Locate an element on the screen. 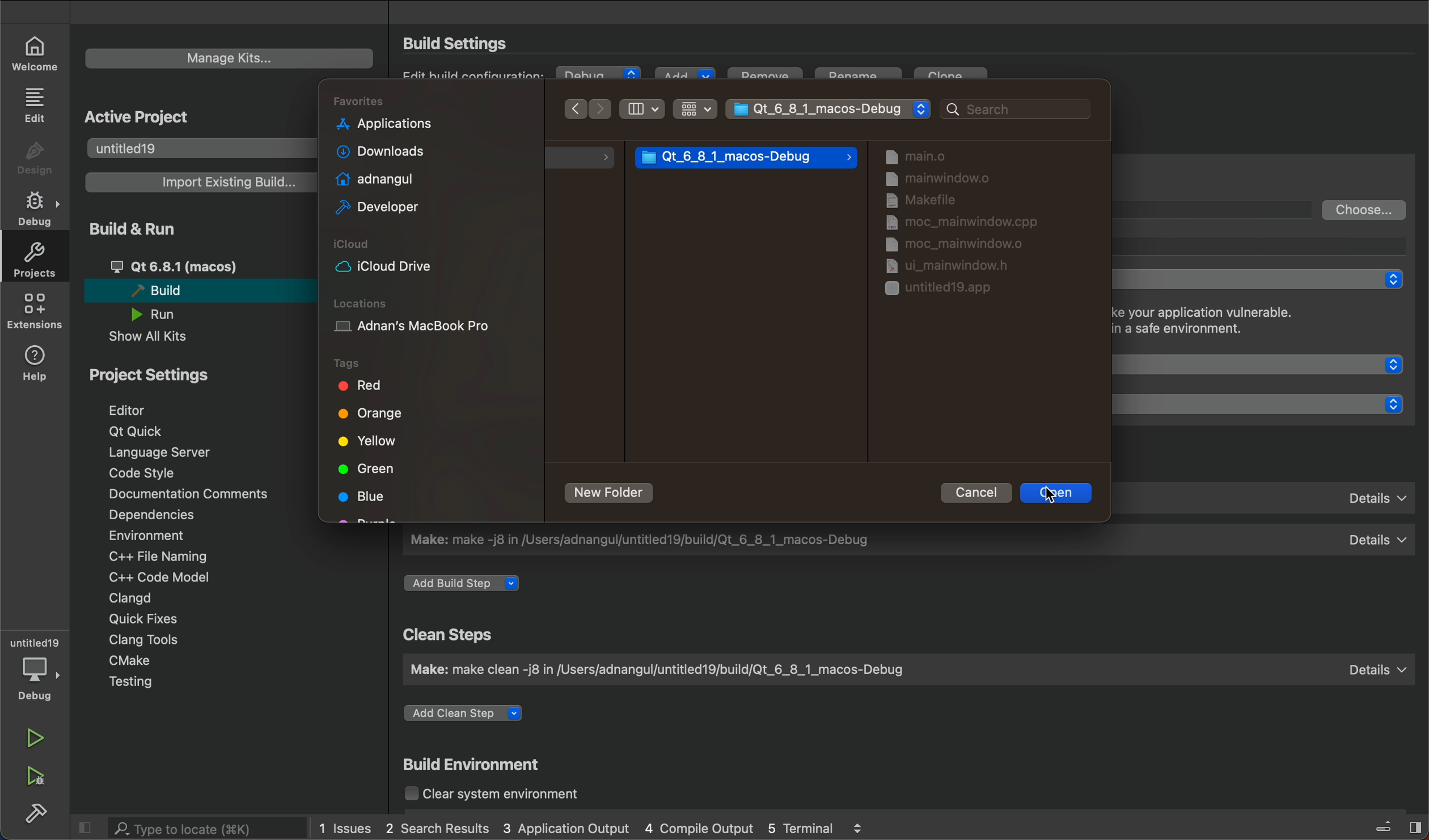 The image size is (1429, 840). orange is located at coordinates (374, 417).